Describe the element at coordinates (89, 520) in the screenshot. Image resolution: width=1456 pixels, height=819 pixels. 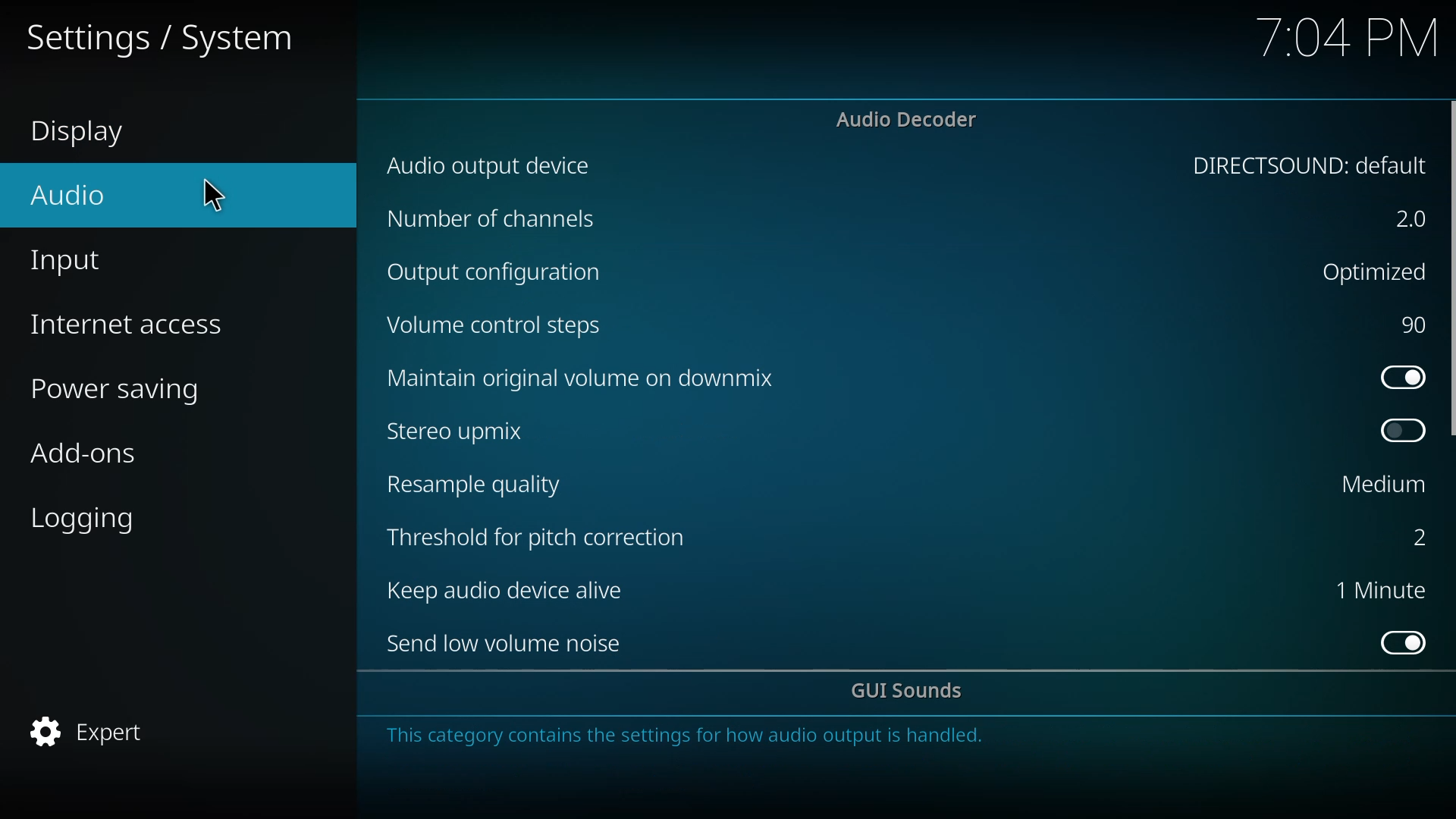
I see `logging` at that location.